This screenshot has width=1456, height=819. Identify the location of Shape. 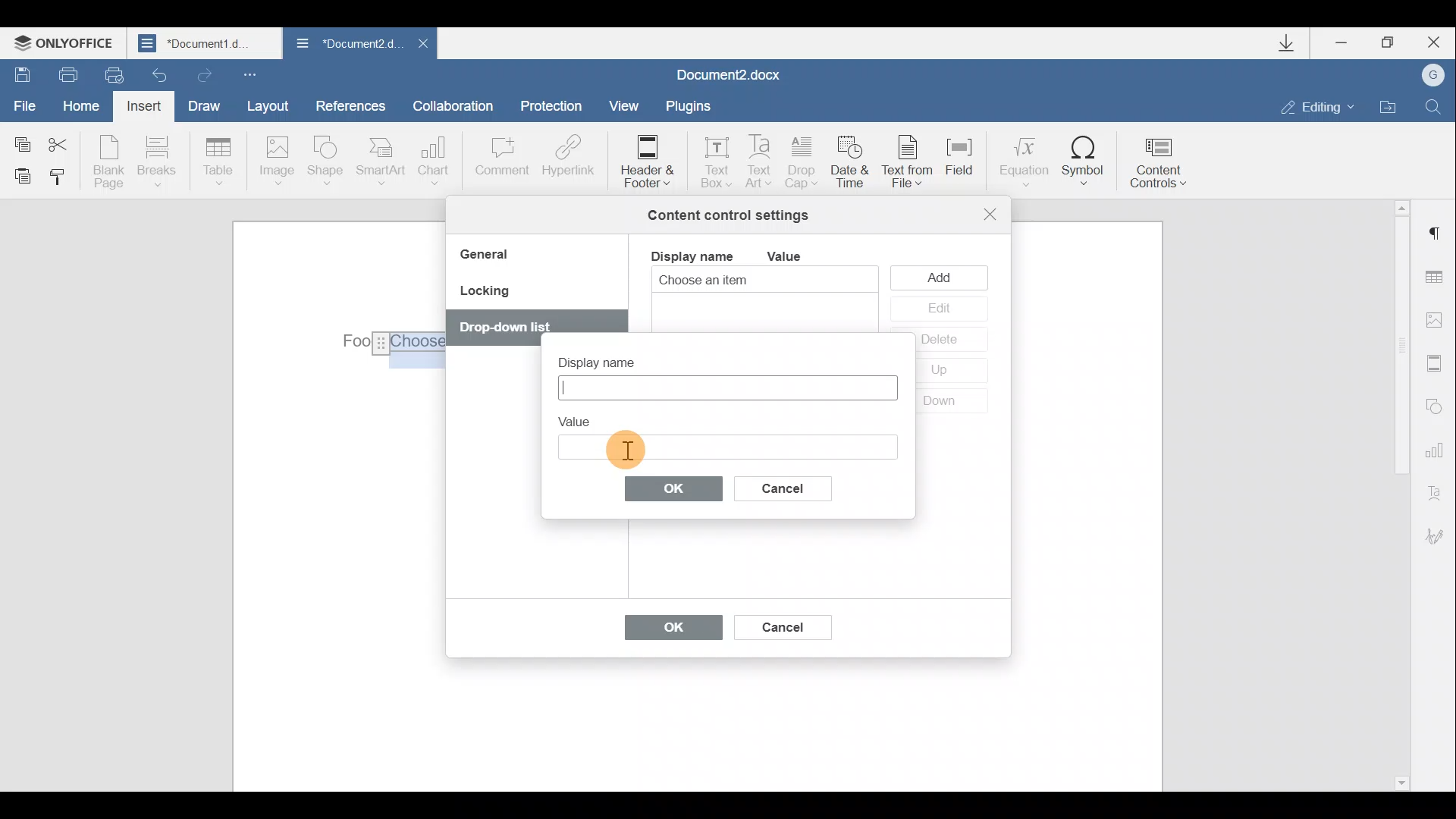
(328, 163).